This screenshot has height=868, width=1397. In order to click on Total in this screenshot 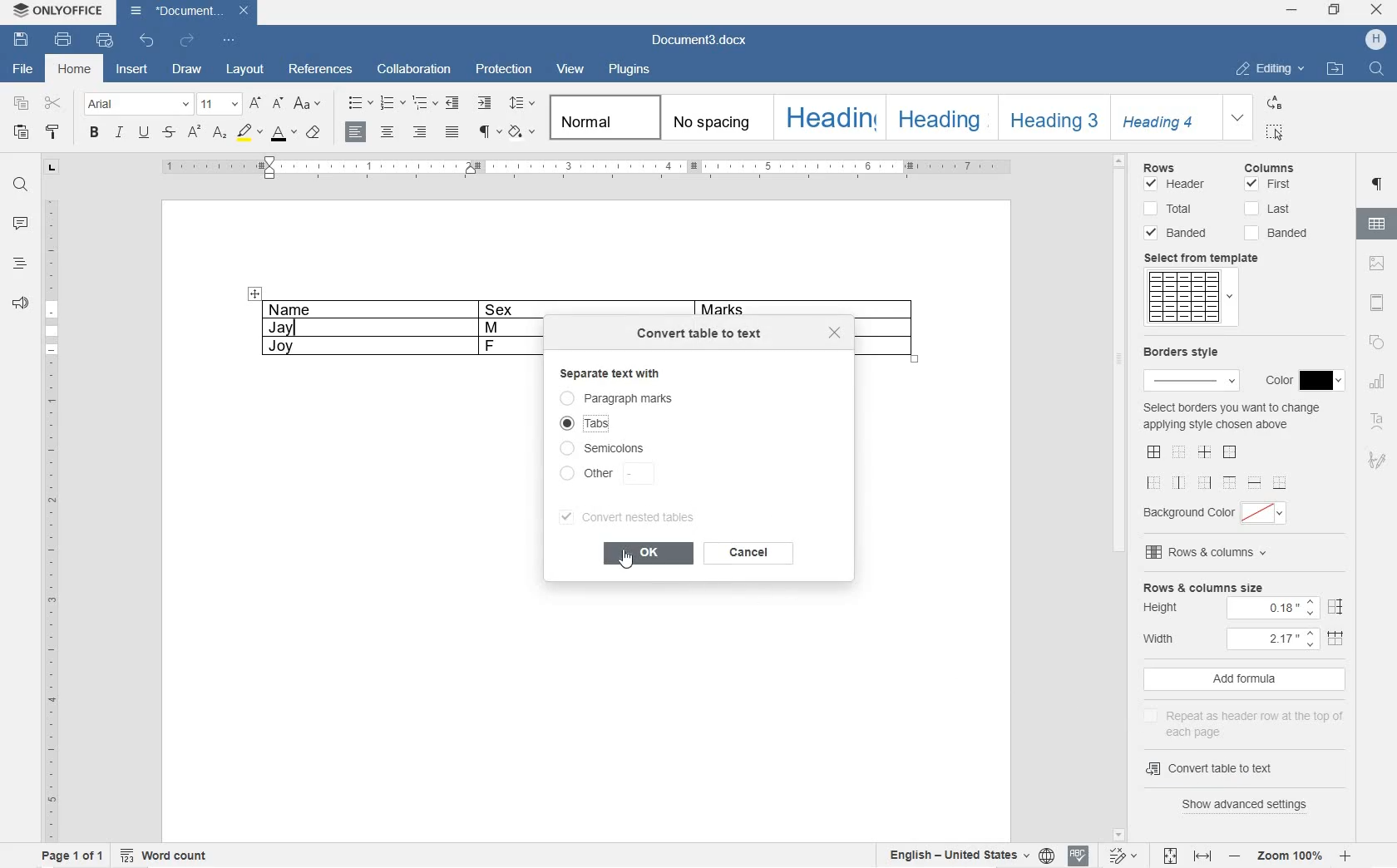, I will do `click(1168, 207)`.